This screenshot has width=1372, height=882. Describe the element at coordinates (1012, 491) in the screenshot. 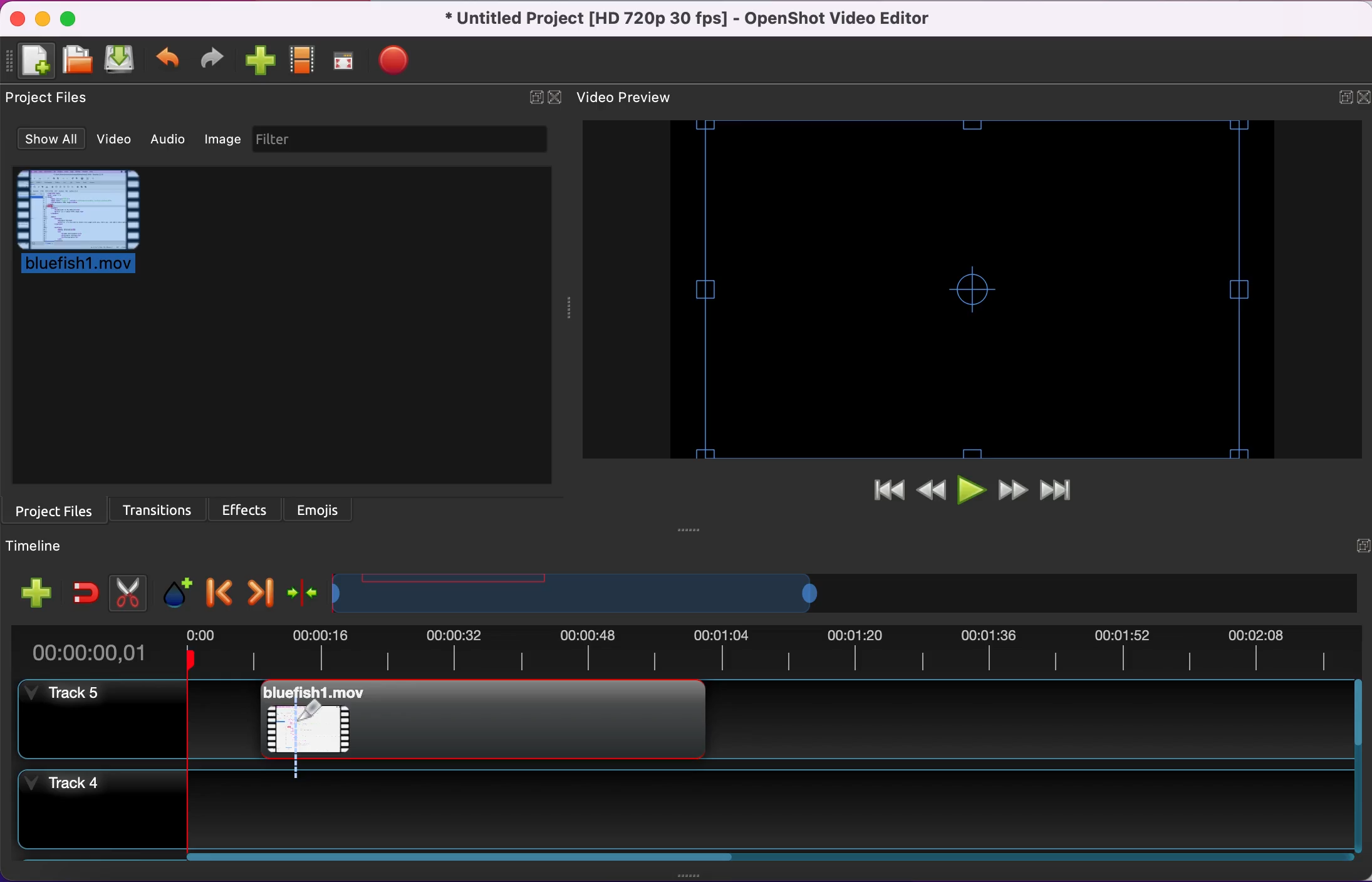

I see `fast forward` at that location.